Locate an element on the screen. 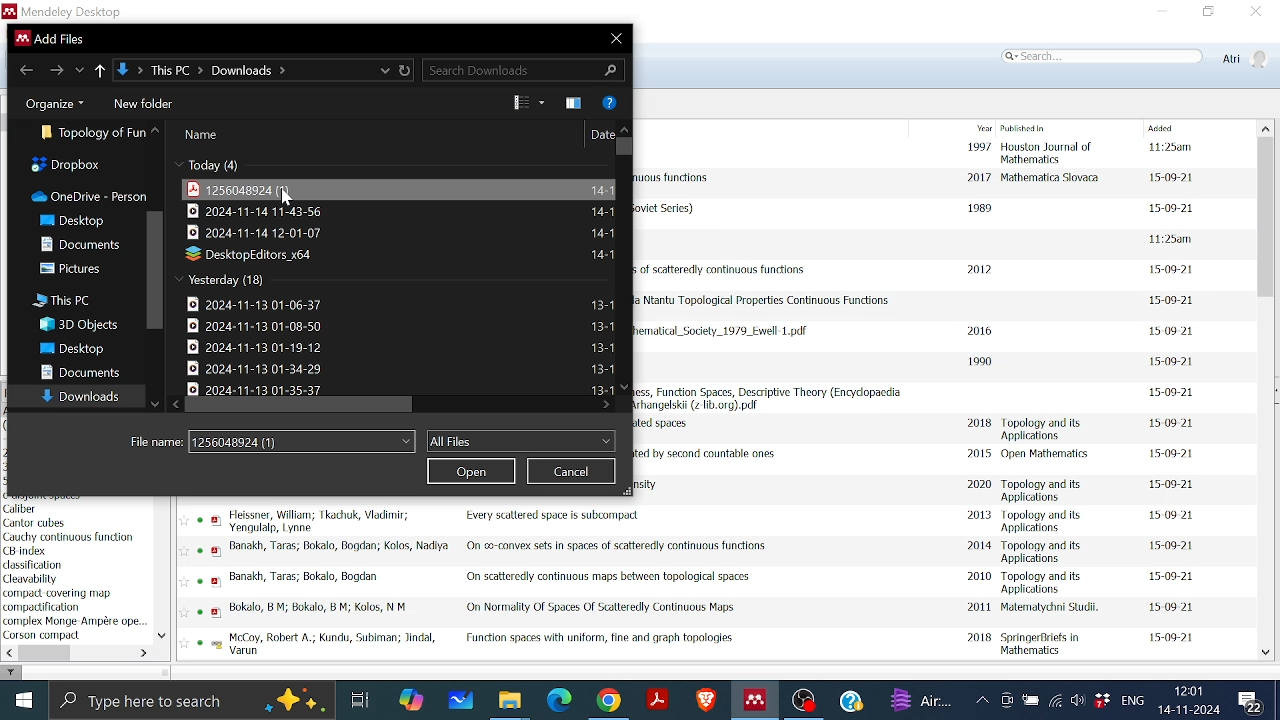 Image resolution: width=1280 pixels, height=720 pixels. Start is located at coordinates (22, 699).